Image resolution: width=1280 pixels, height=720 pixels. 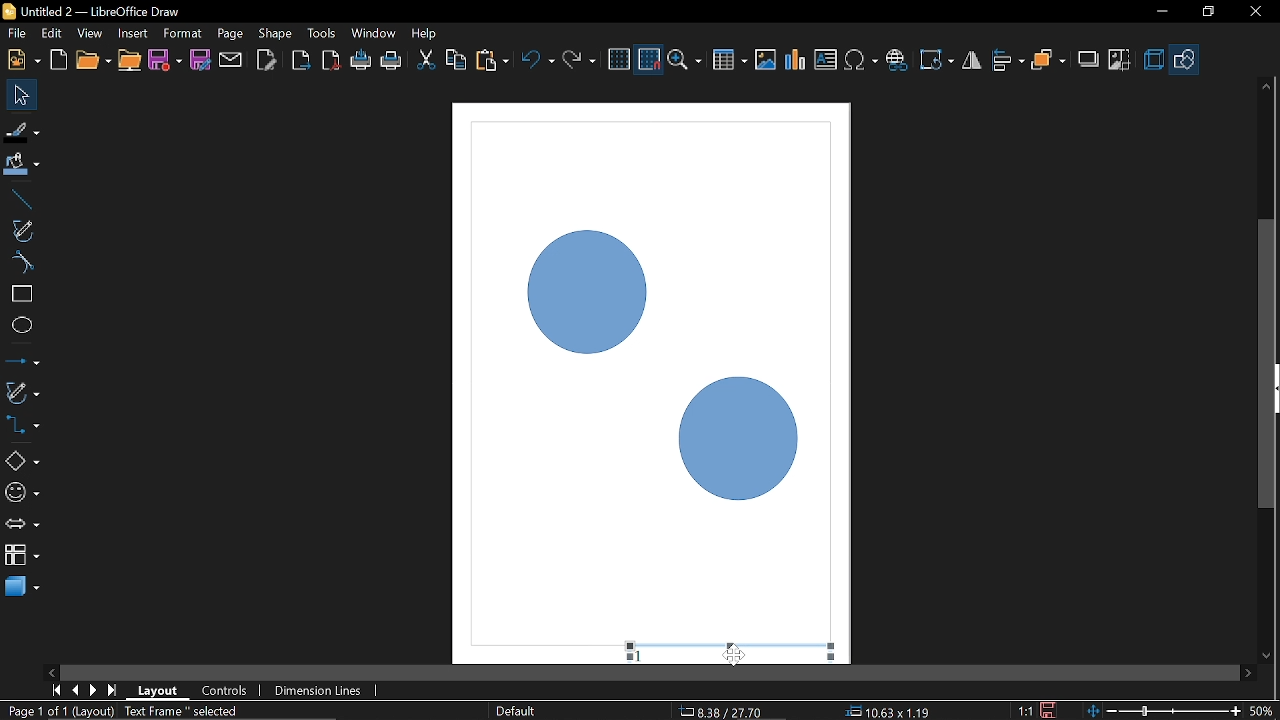 I want to click on Zoom, so click(x=687, y=61).